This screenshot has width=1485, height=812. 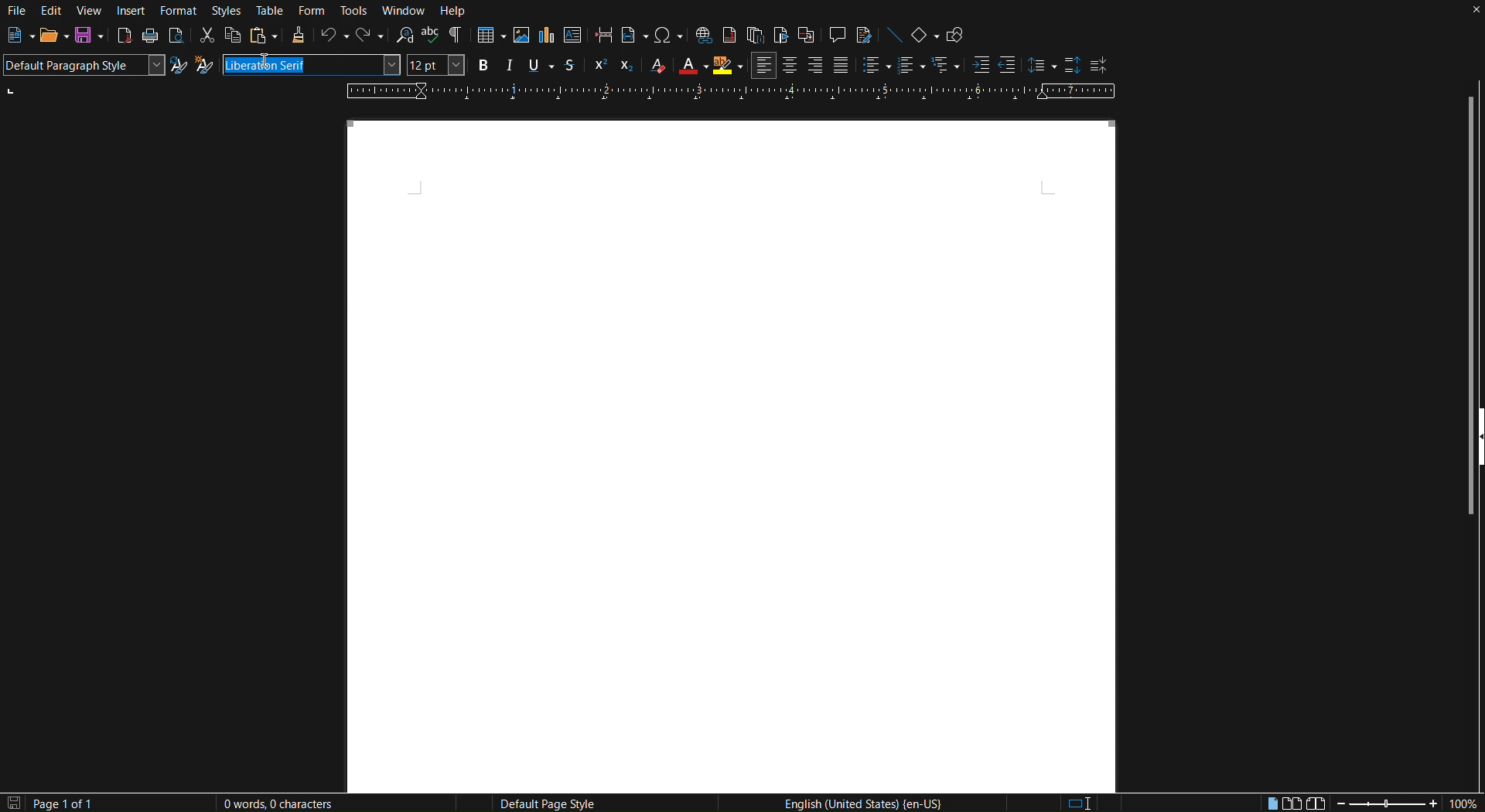 I want to click on Export directly as PDF, so click(x=125, y=37).